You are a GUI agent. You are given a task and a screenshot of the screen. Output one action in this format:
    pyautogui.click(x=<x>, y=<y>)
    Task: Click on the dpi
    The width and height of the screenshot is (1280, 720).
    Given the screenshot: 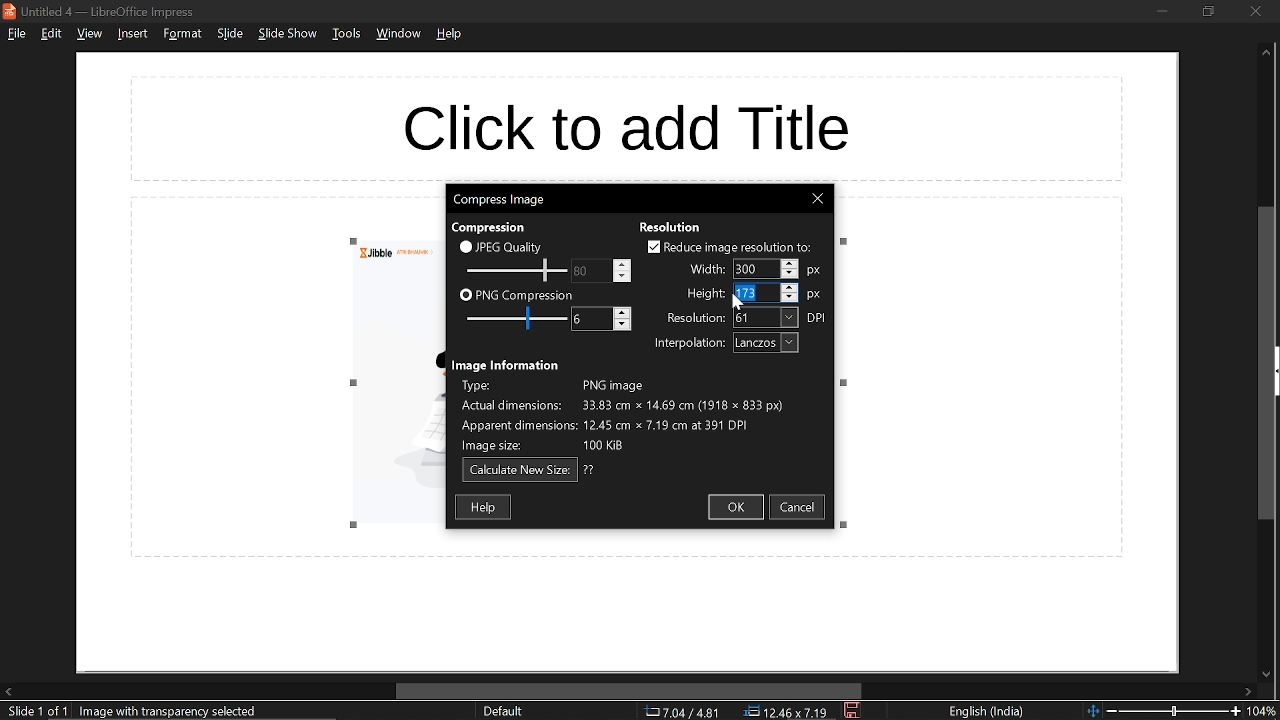 What is the action you would take?
    pyautogui.click(x=819, y=318)
    